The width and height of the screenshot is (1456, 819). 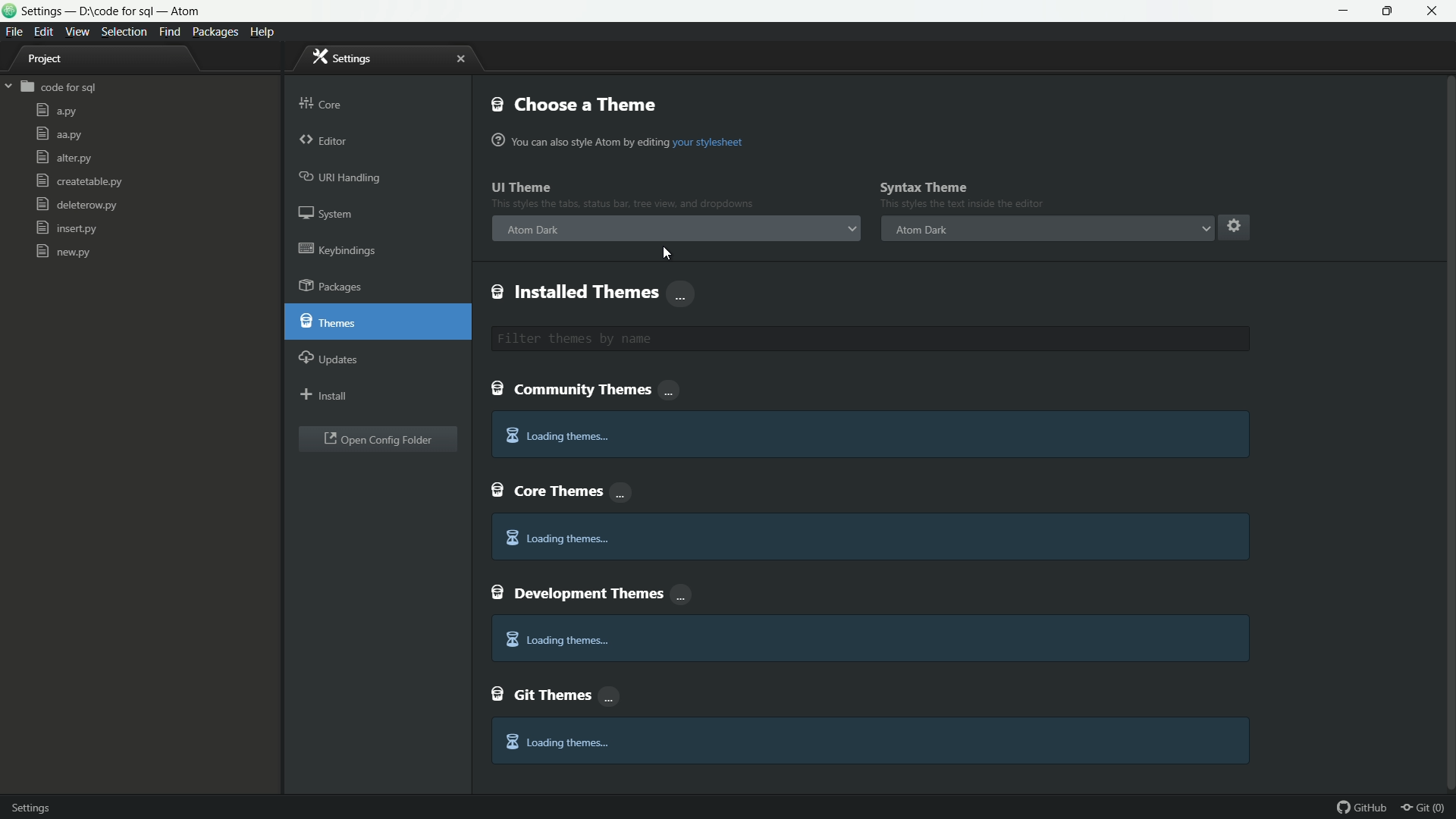 I want to click on editor, so click(x=325, y=142).